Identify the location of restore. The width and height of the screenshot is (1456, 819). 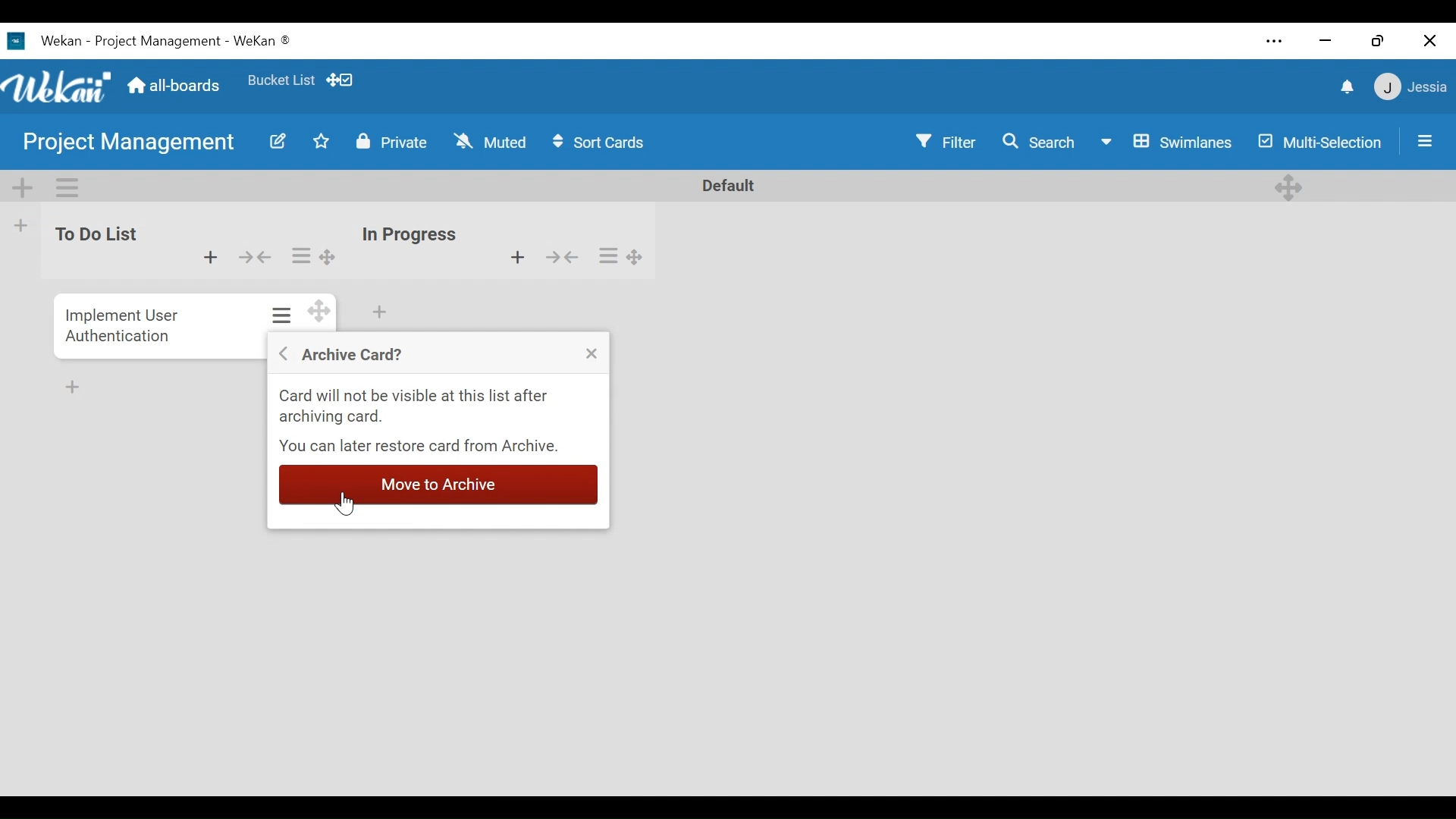
(1377, 40).